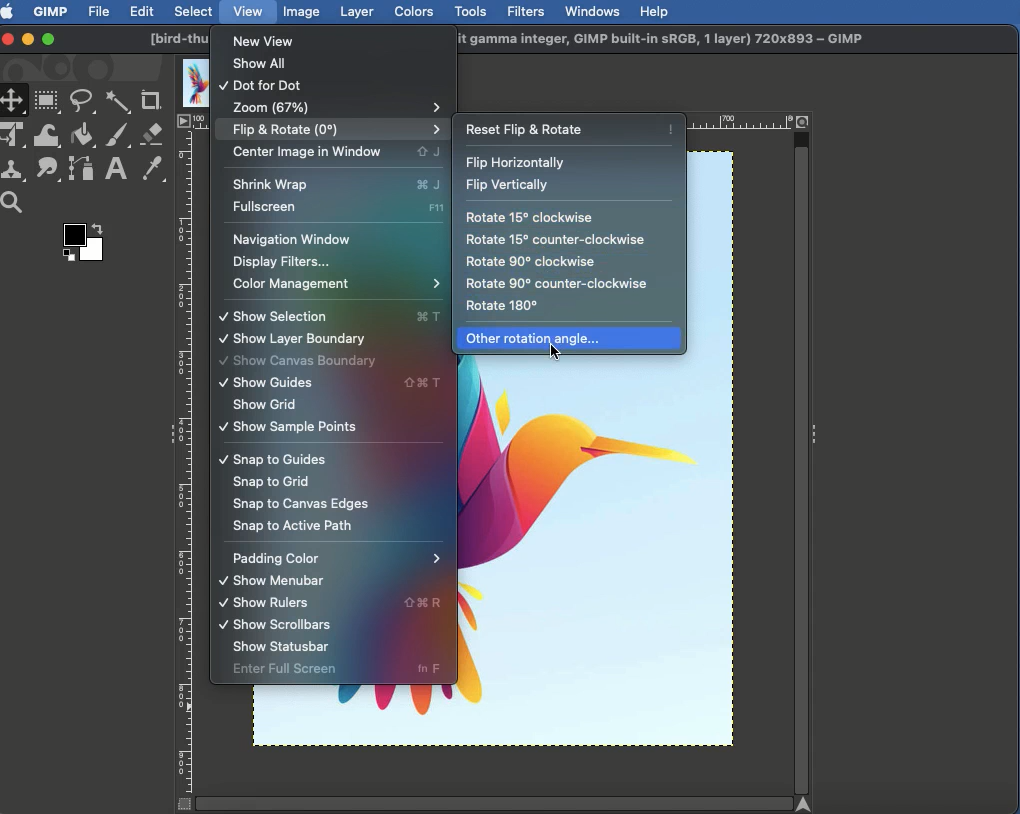 The image size is (1020, 814). What do you see at coordinates (804, 120) in the screenshot?
I see `Zoom image when window size changes` at bounding box center [804, 120].